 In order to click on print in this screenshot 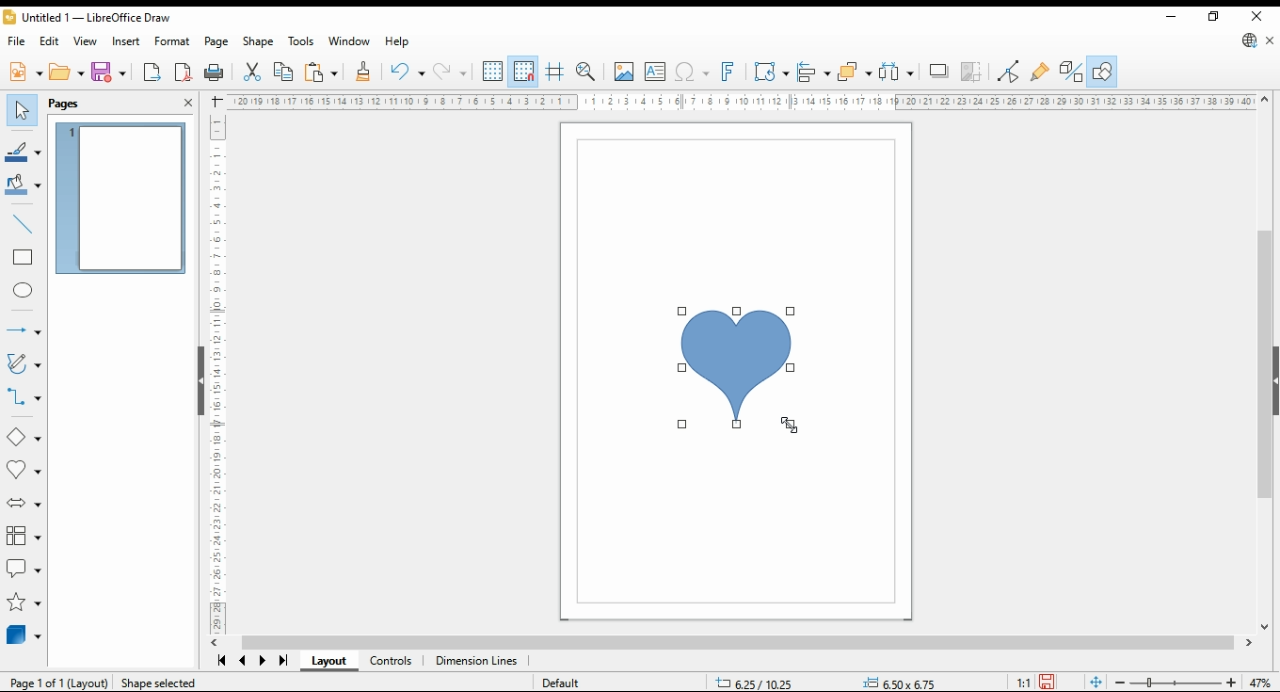, I will do `click(215, 72)`.